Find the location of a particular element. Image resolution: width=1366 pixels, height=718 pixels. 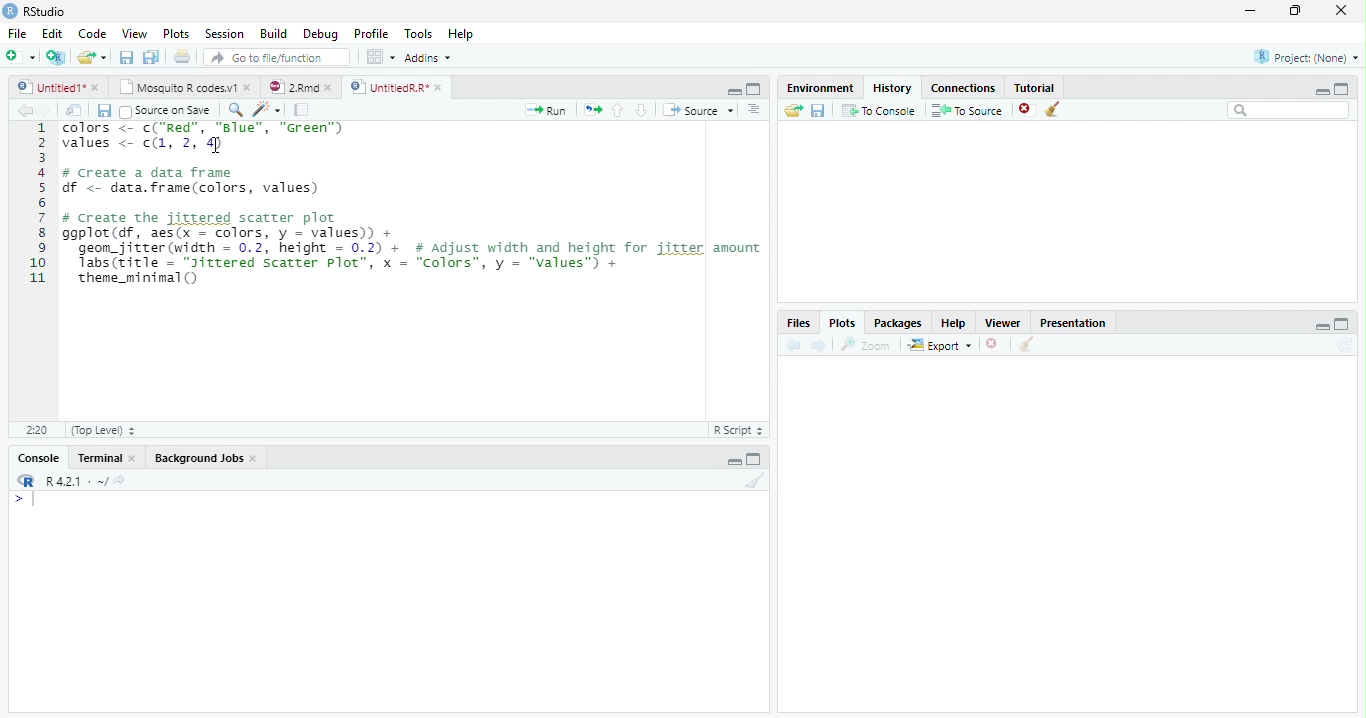

Minimize is located at coordinates (1321, 91).